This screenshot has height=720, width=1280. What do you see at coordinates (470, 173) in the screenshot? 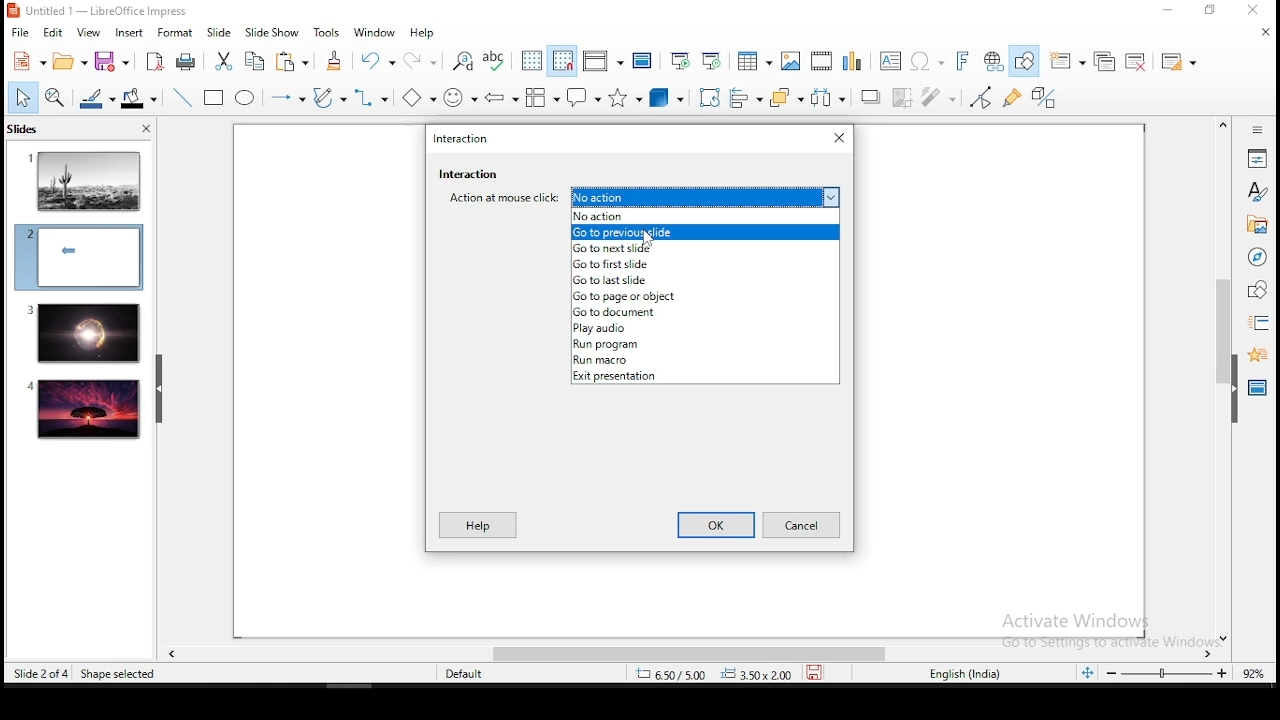
I see `interaction` at bounding box center [470, 173].